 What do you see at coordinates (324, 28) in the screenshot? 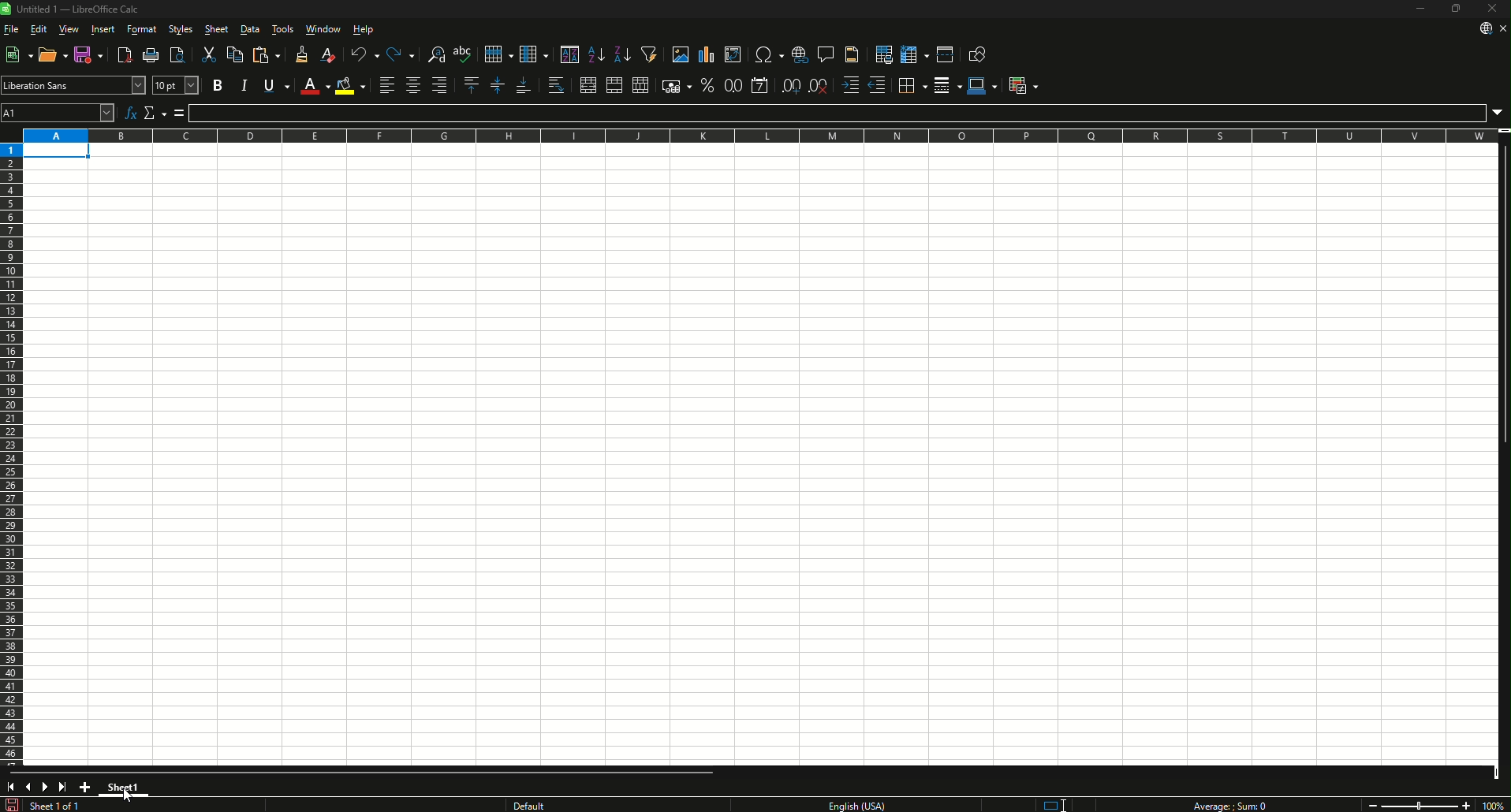
I see `Window` at bounding box center [324, 28].